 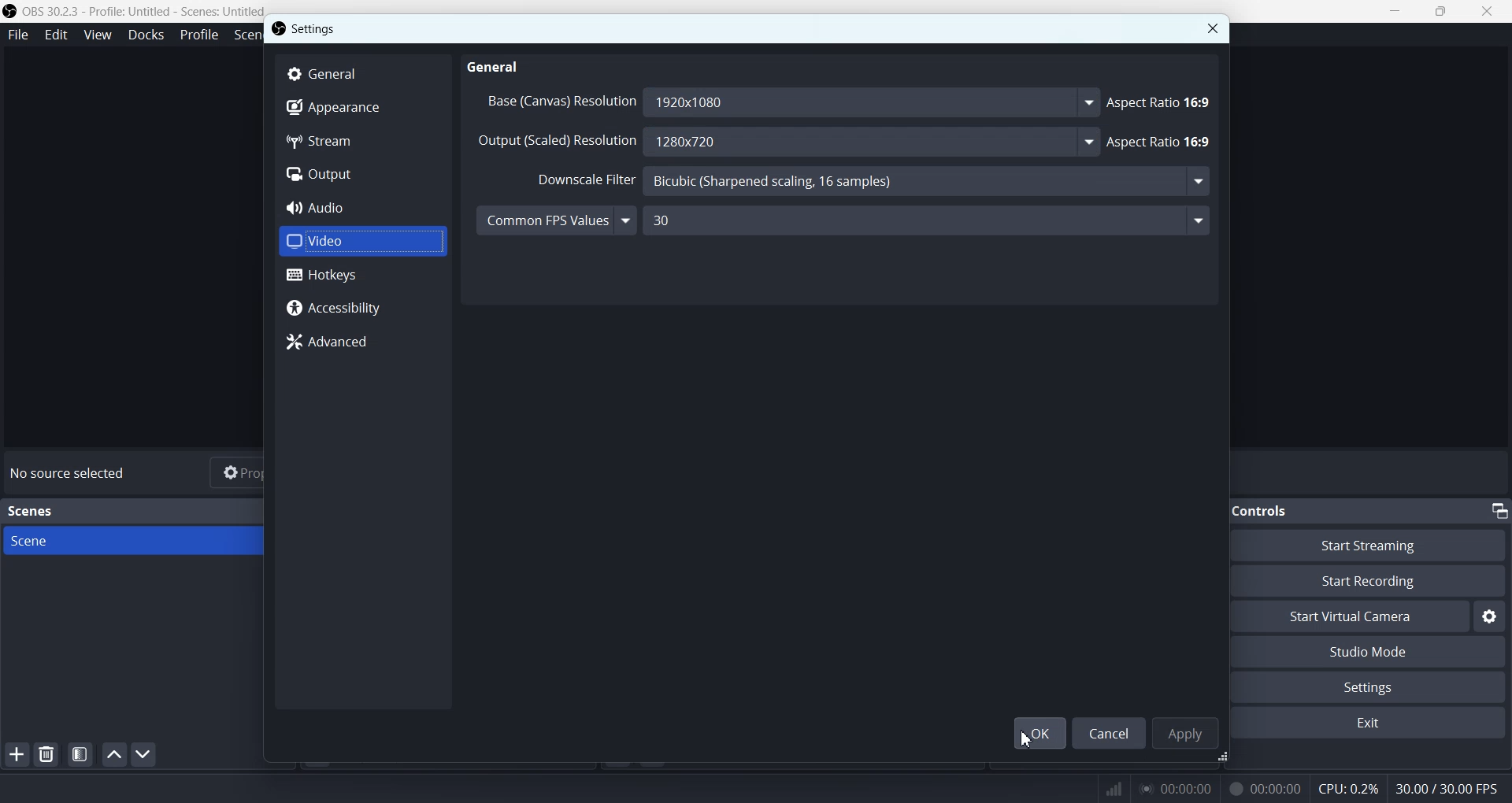 I want to click on Open scene filter, so click(x=80, y=754).